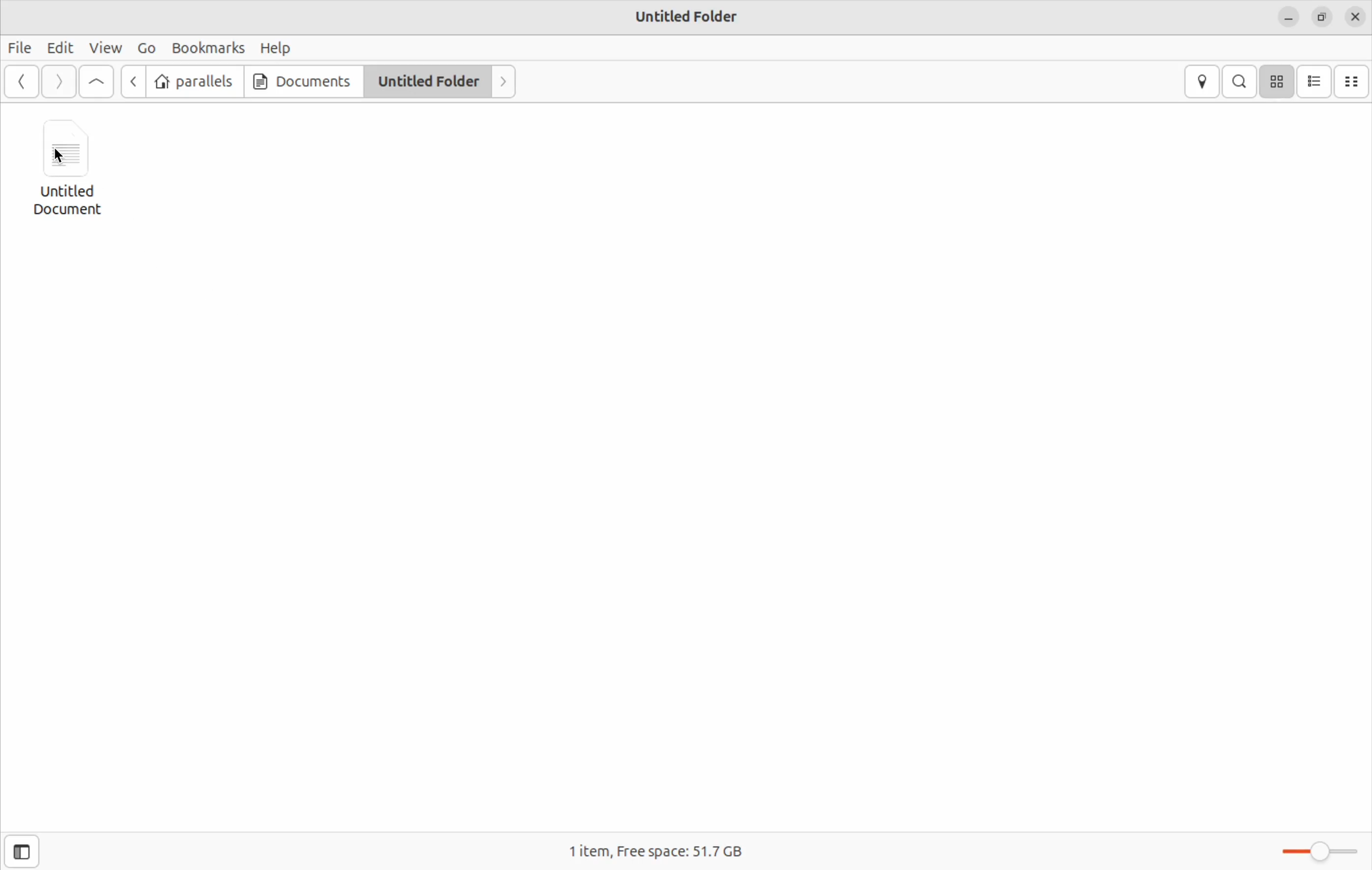 The width and height of the screenshot is (1372, 870). What do you see at coordinates (426, 80) in the screenshot?
I see `untitled folder` at bounding box center [426, 80].